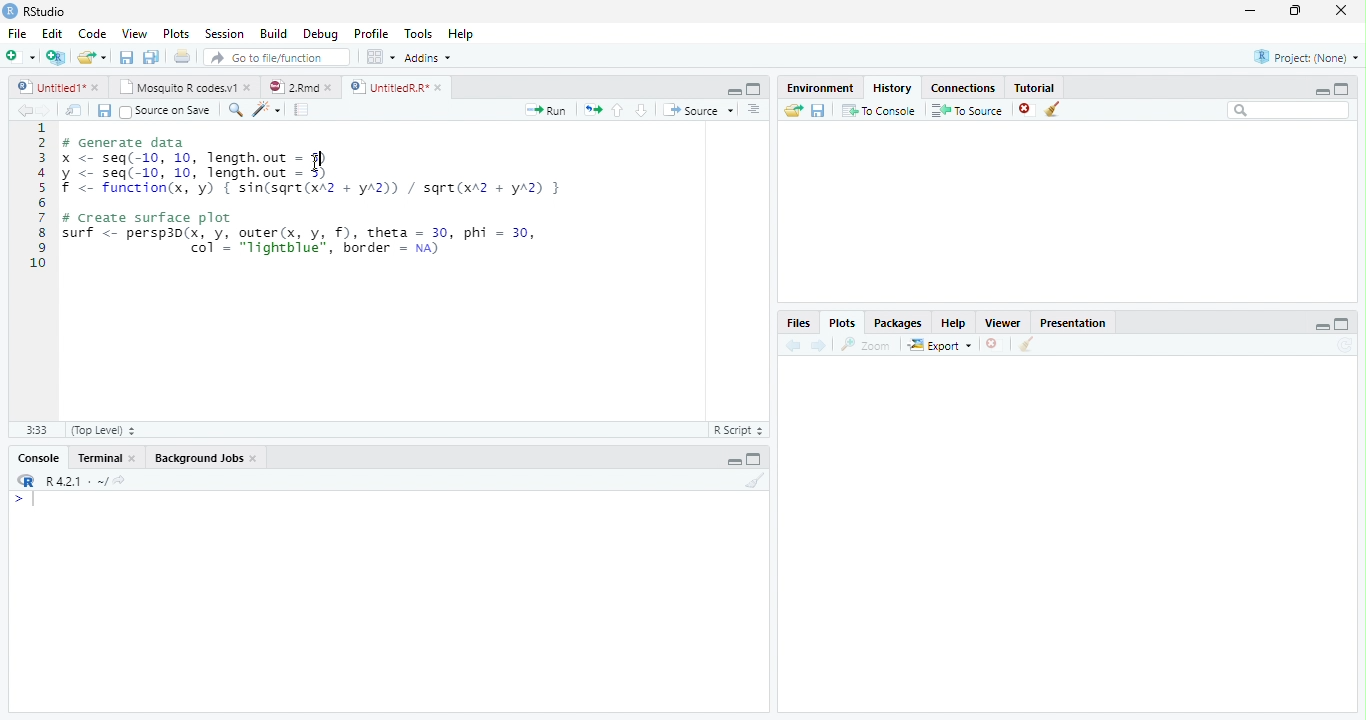  I want to click on Addins, so click(428, 58).